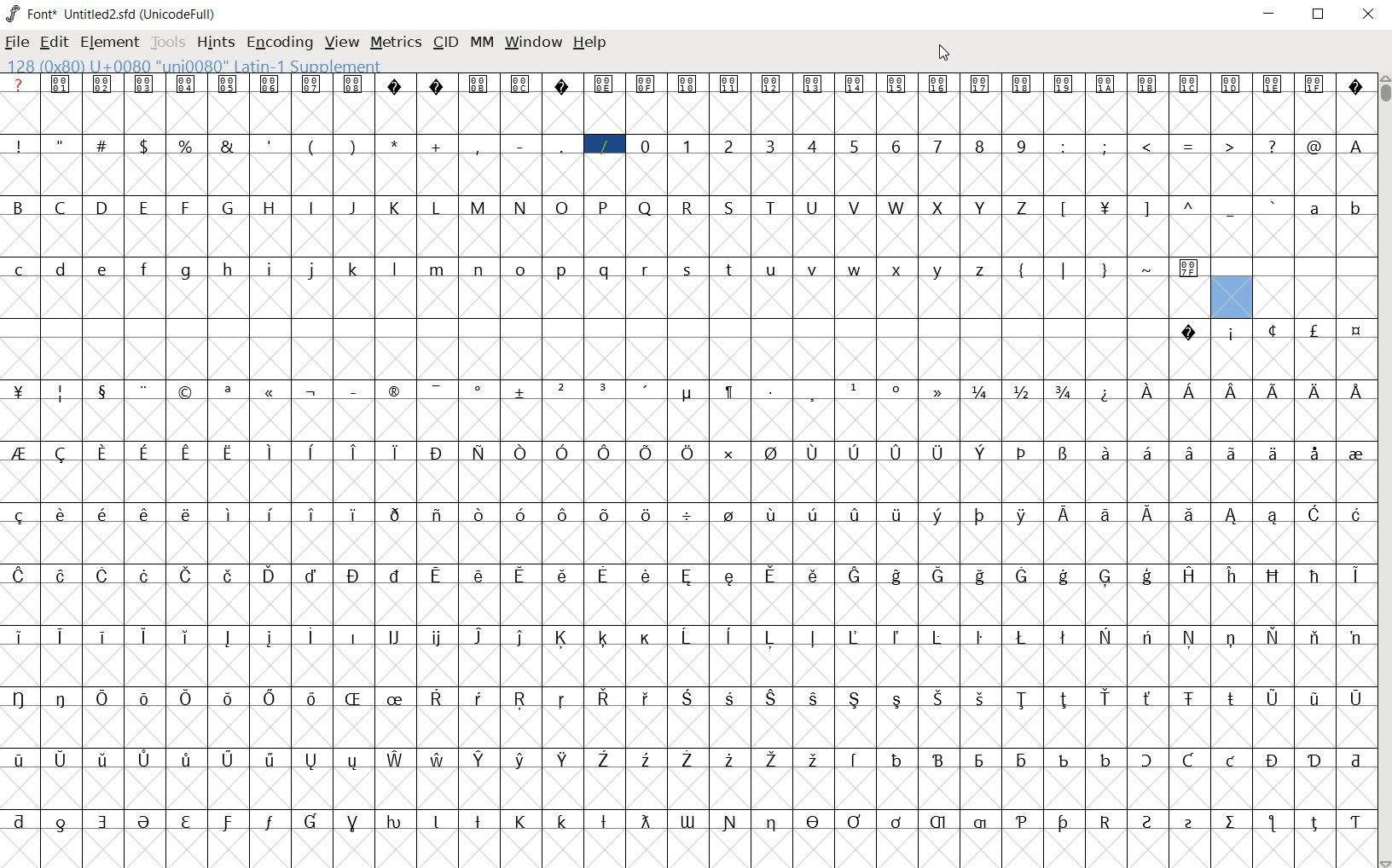  Describe the element at coordinates (1022, 146) in the screenshot. I see `glyph` at that location.